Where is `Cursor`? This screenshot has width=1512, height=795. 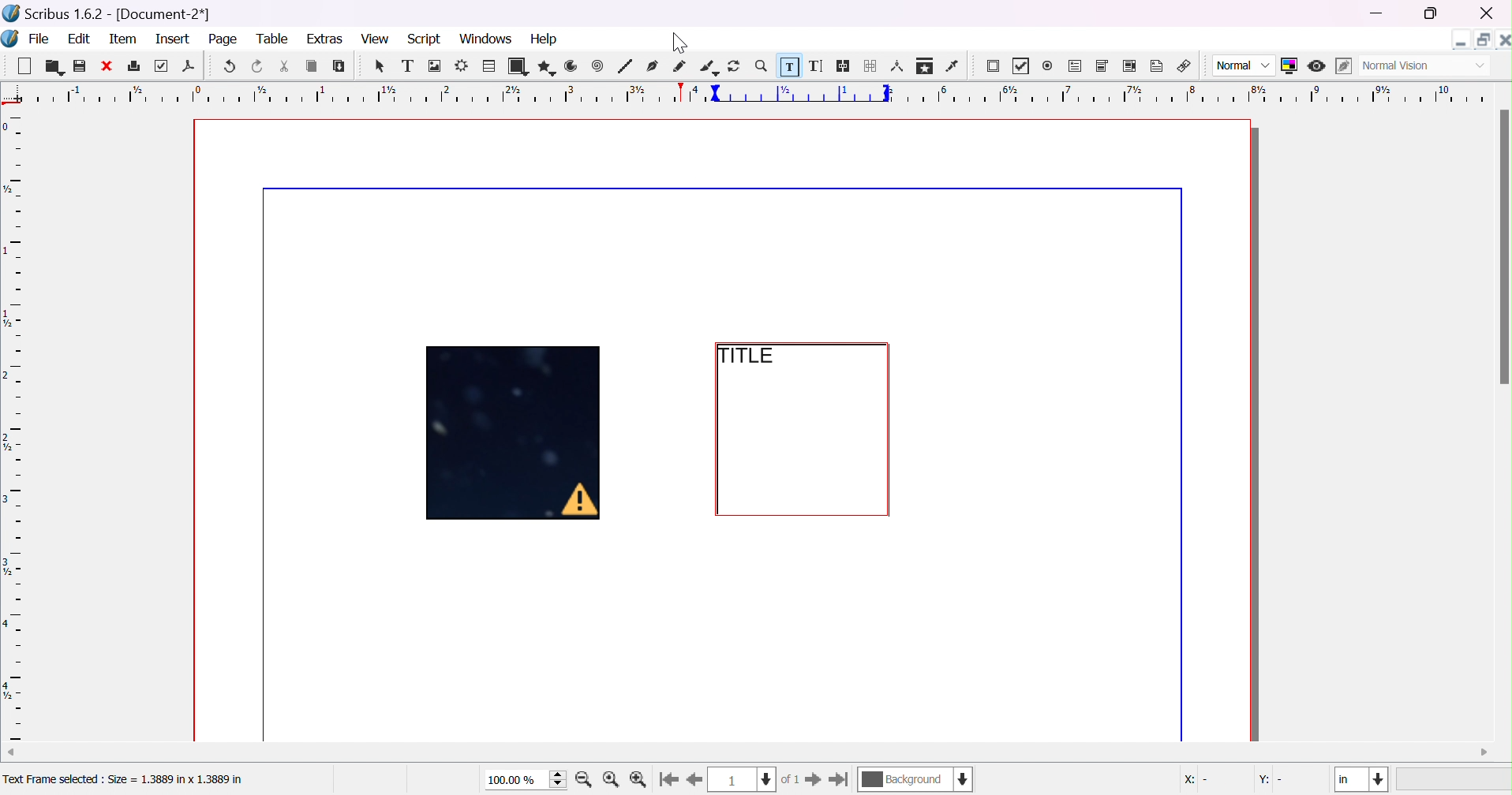 Cursor is located at coordinates (679, 43).